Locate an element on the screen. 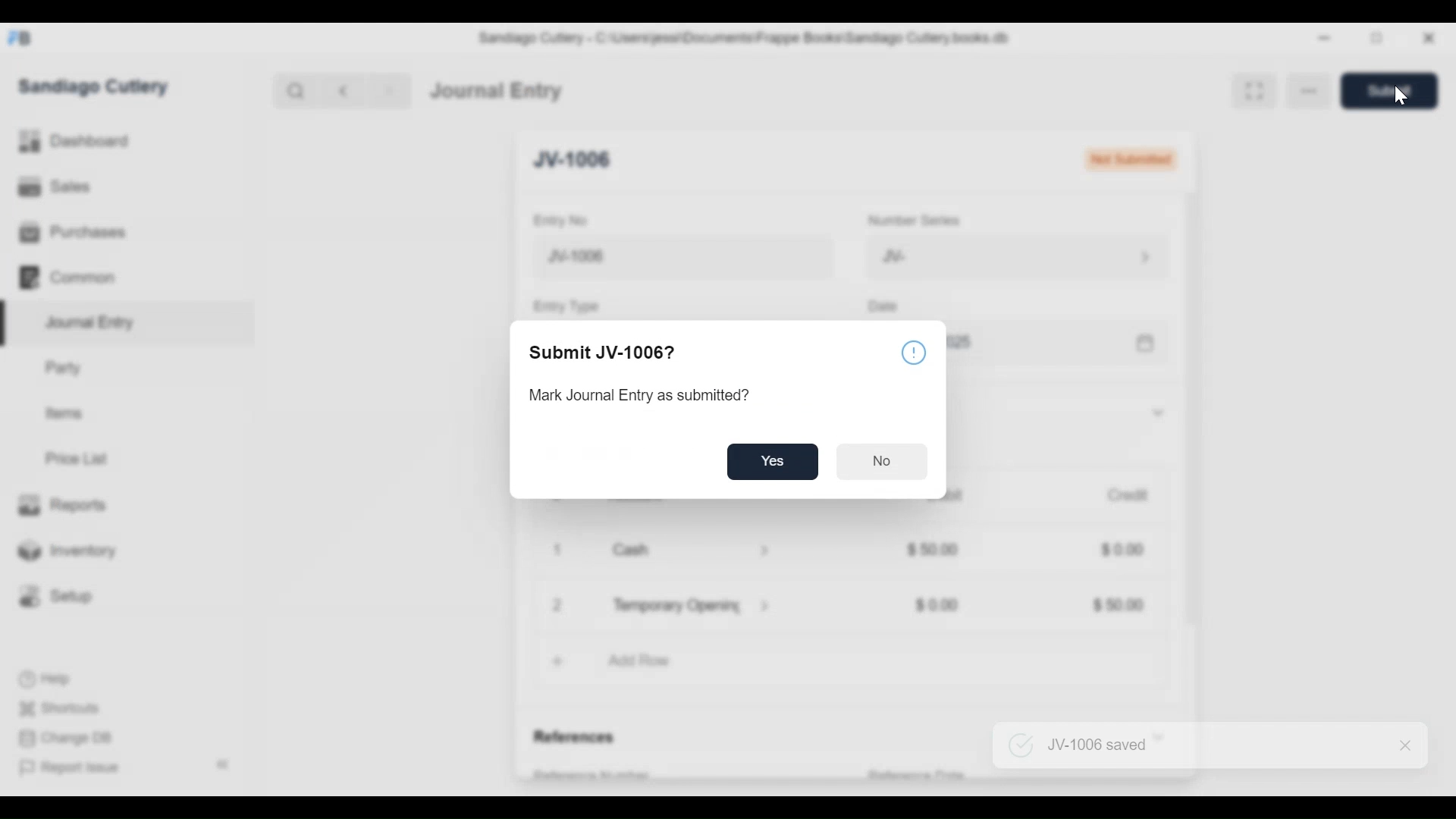  Yes is located at coordinates (773, 460).